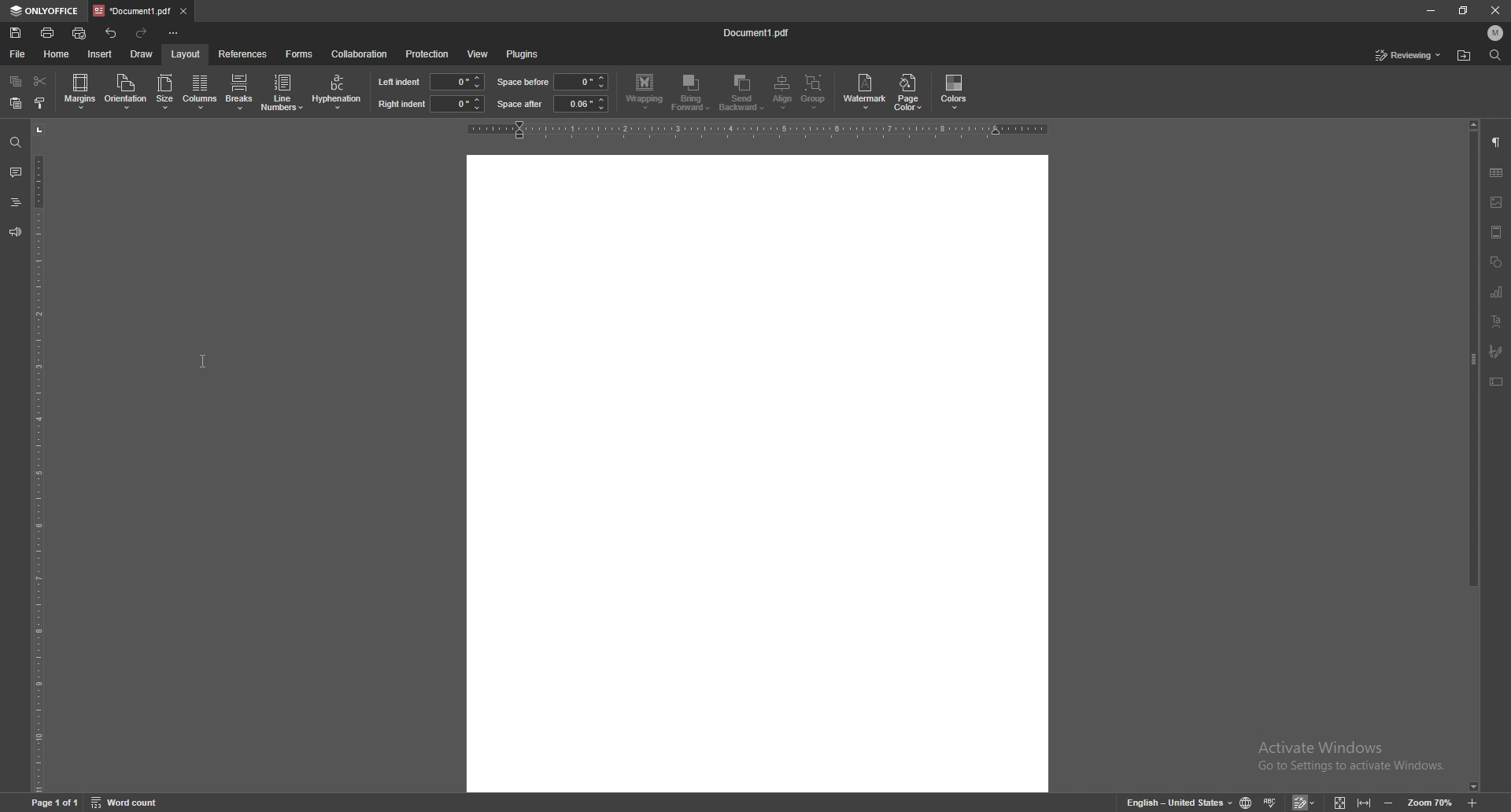 The height and width of the screenshot is (812, 1511). Describe the element at coordinates (1429, 803) in the screenshot. I see `zoom 70%` at that location.